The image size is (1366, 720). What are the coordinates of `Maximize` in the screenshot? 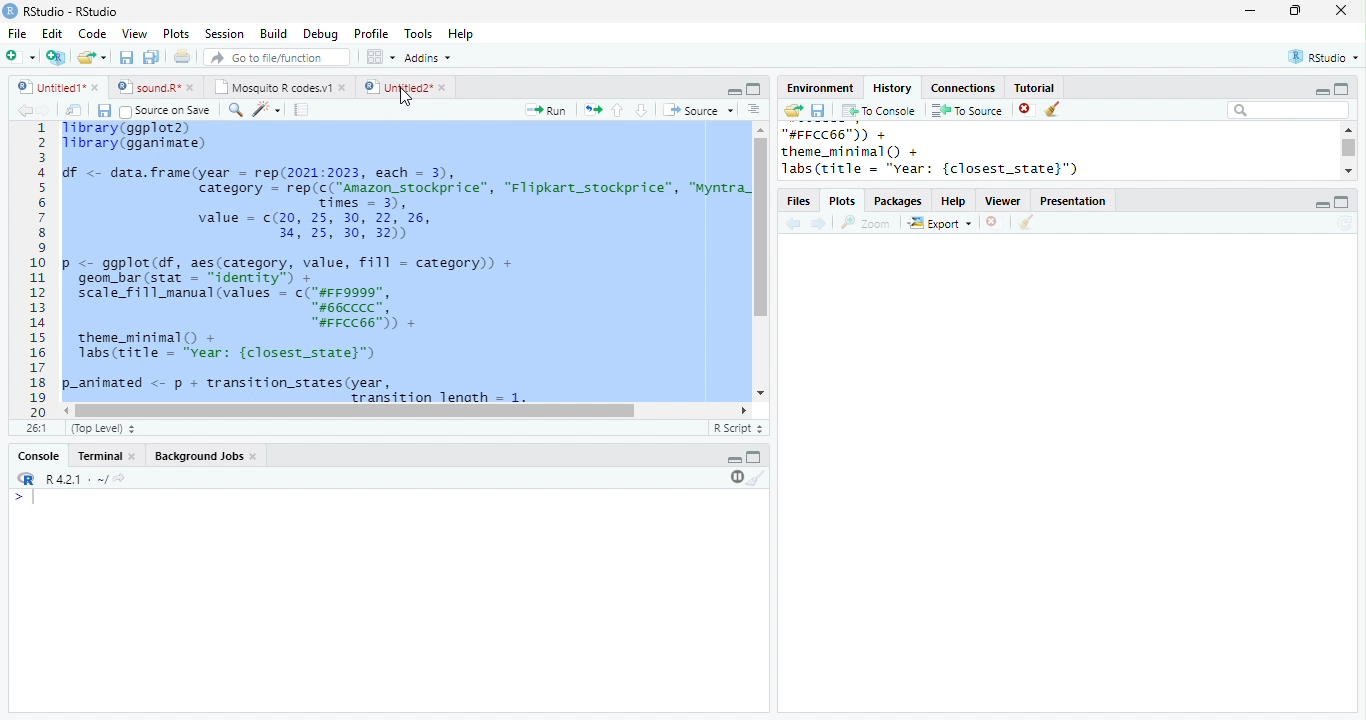 It's located at (754, 89).